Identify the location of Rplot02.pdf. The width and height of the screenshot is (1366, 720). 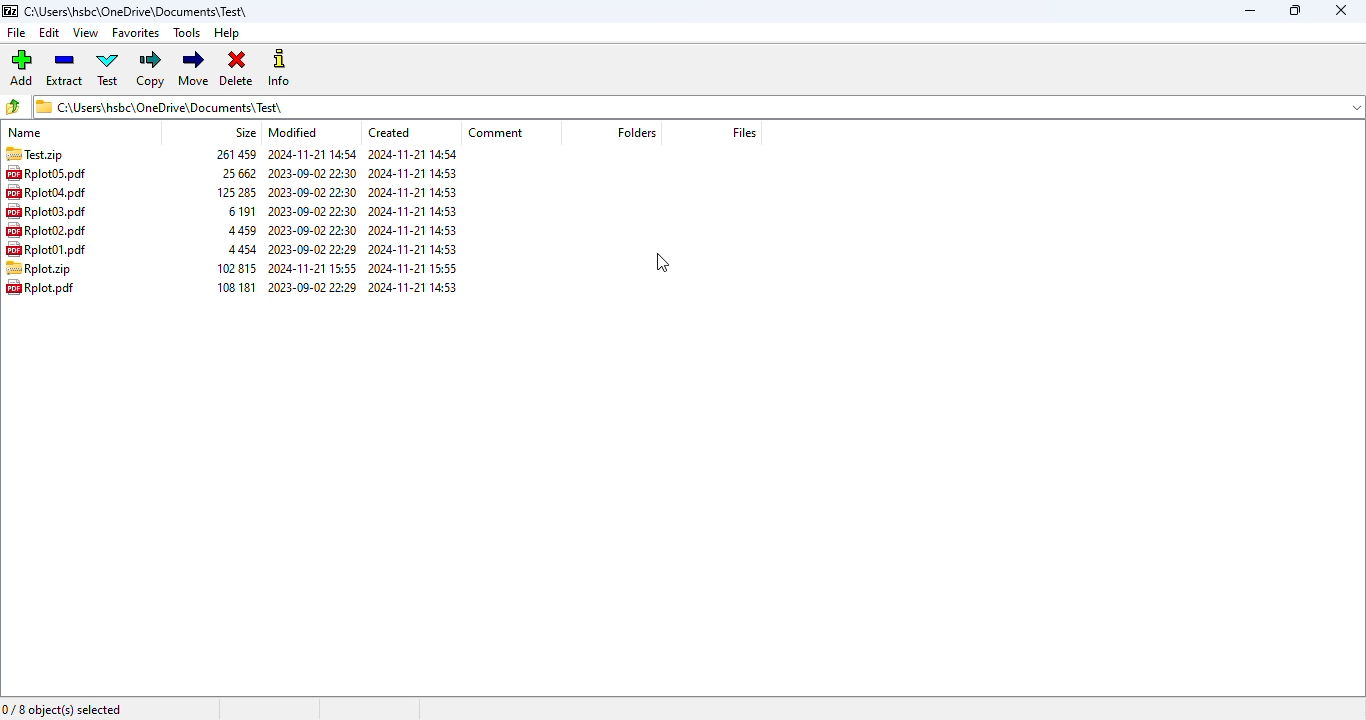
(47, 230).